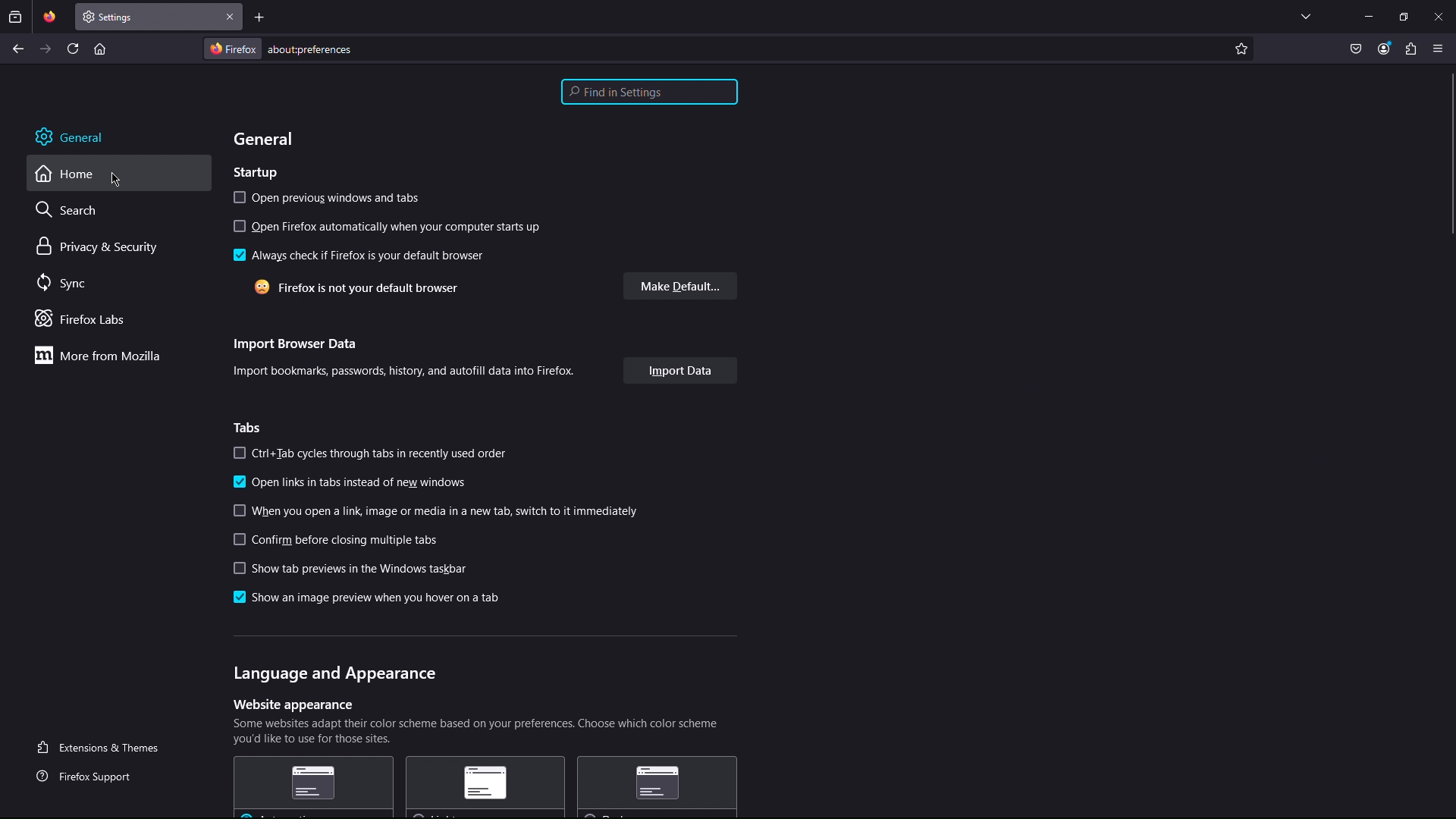 The image size is (1456, 819). I want to click on Maximize, so click(1404, 16).